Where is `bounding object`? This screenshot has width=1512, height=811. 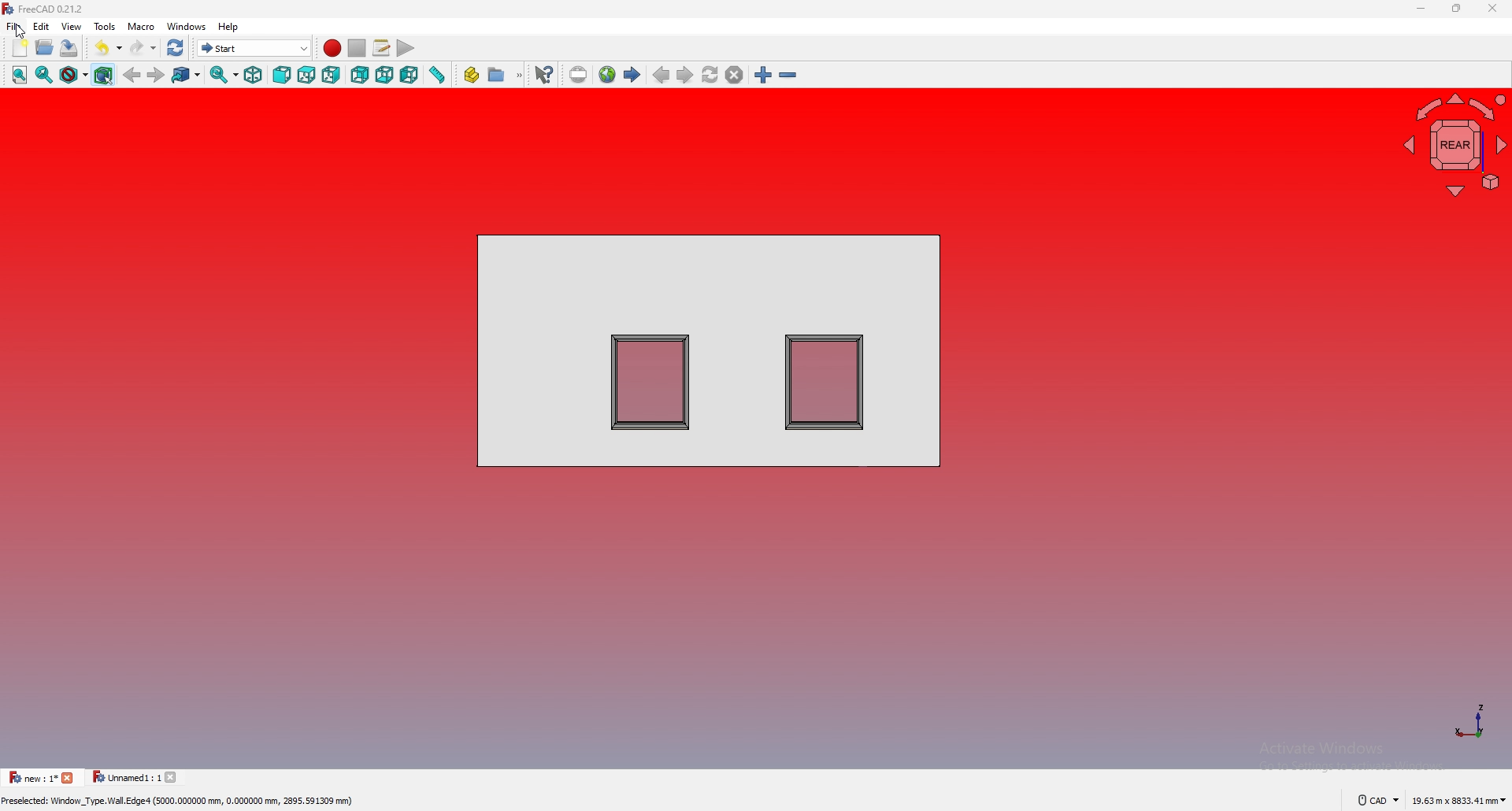 bounding object is located at coordinates (103, 75).